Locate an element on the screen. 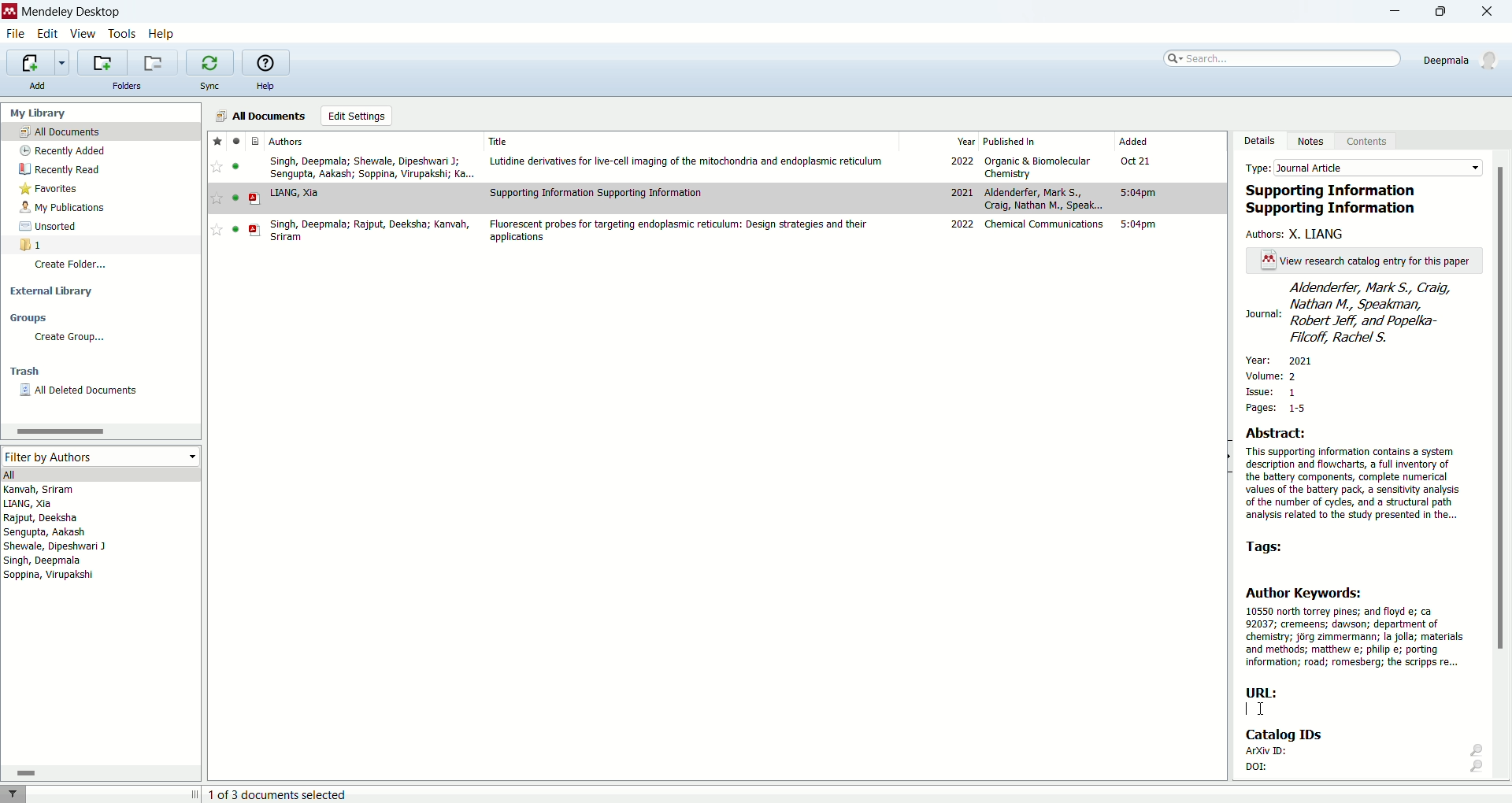 The height and width of the screenshot is (803, 1512). create folder is located at coordinates (73, 268).